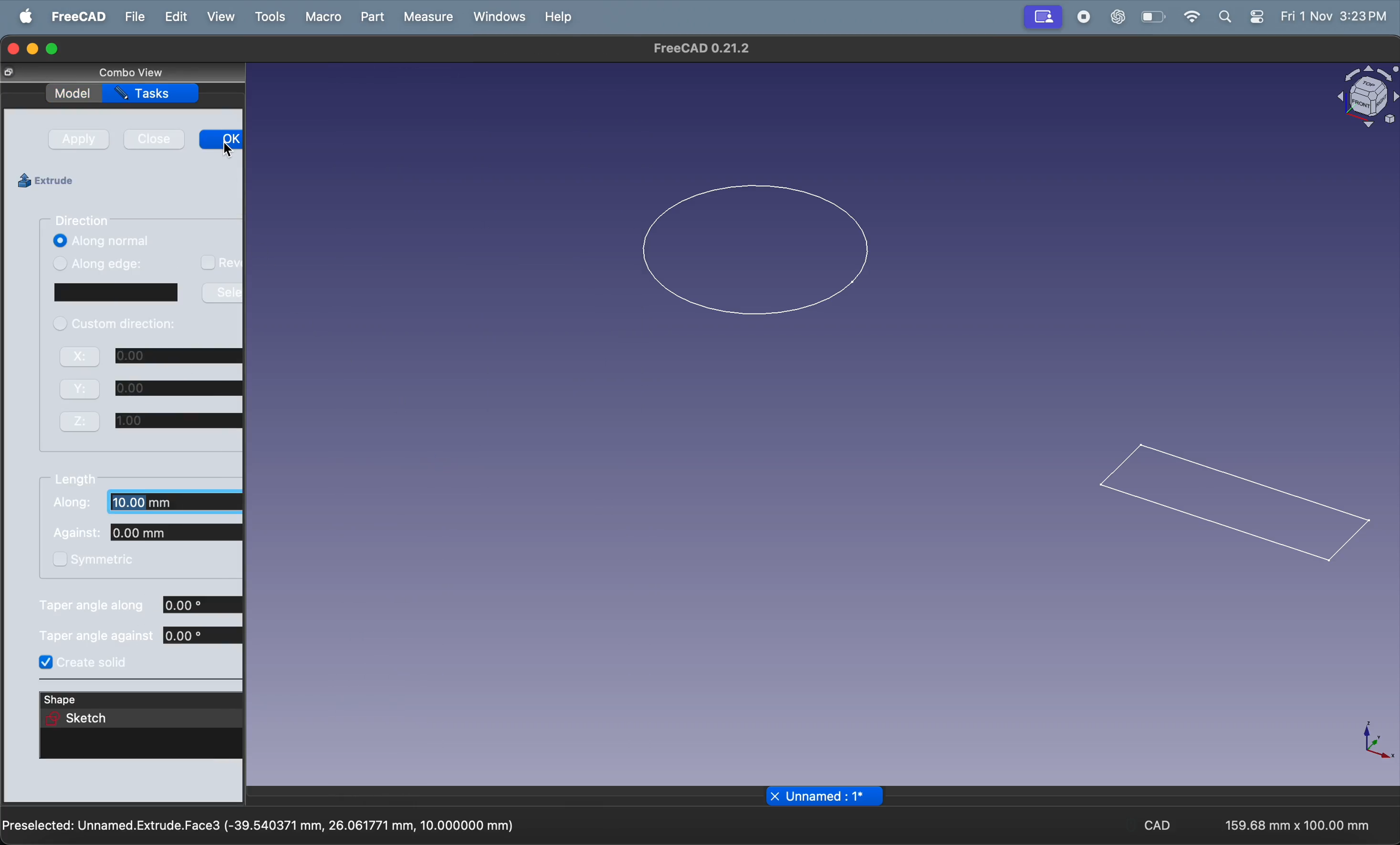  I want to click on Against:, so click(74, 534).